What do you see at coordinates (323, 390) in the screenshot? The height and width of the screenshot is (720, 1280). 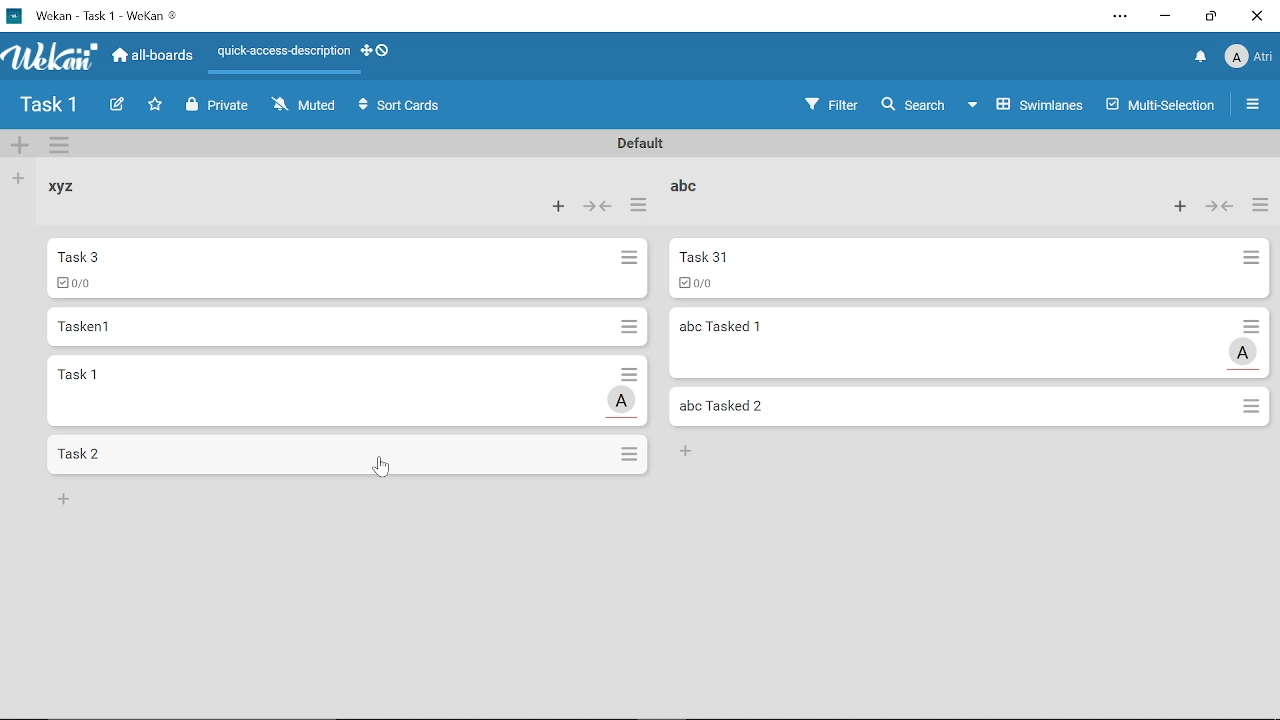 I see `card named "task 1"` at bounding box center [323, 390].